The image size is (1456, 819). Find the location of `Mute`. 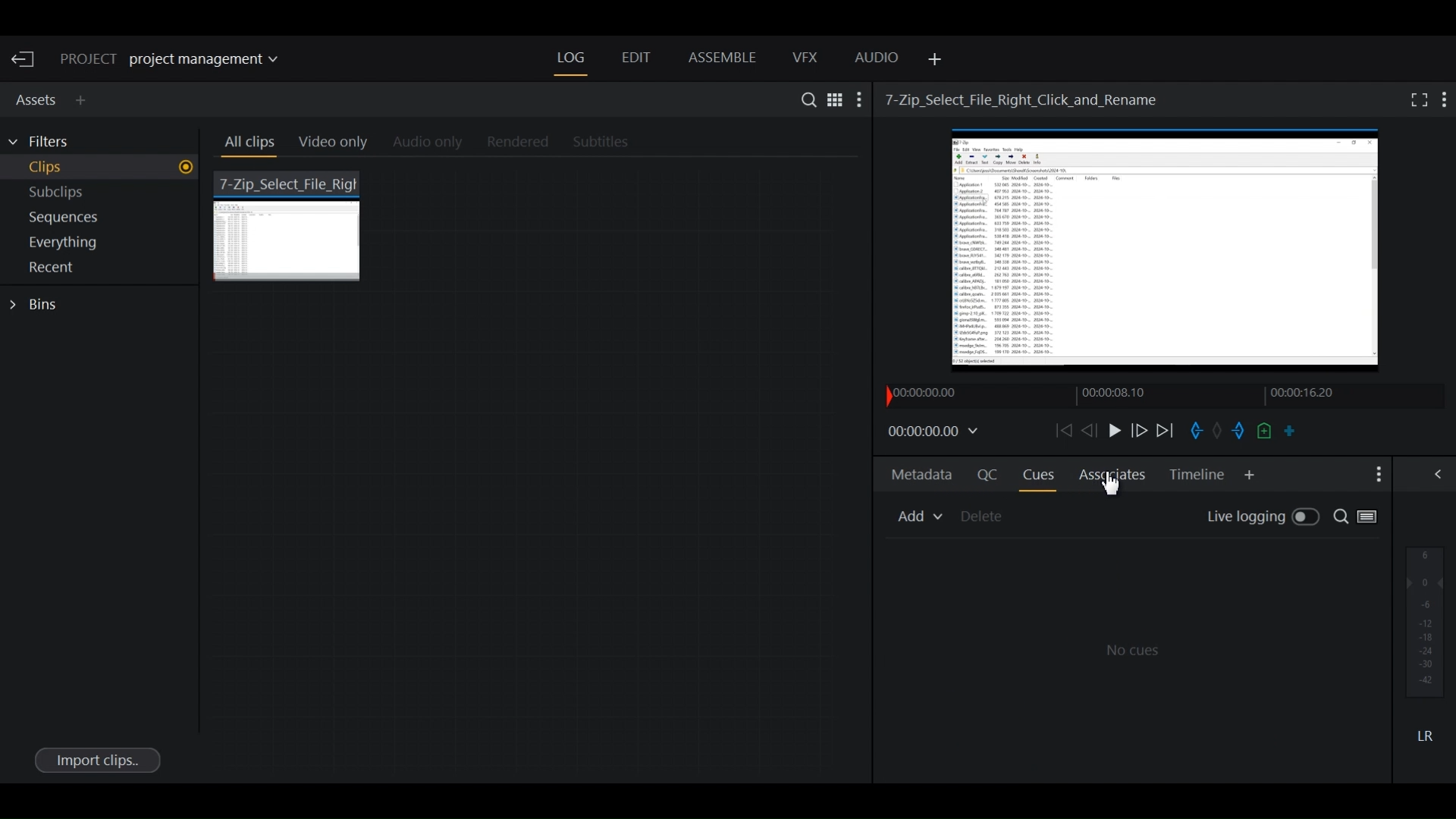

Mute is located at coordinates (1425, 735).